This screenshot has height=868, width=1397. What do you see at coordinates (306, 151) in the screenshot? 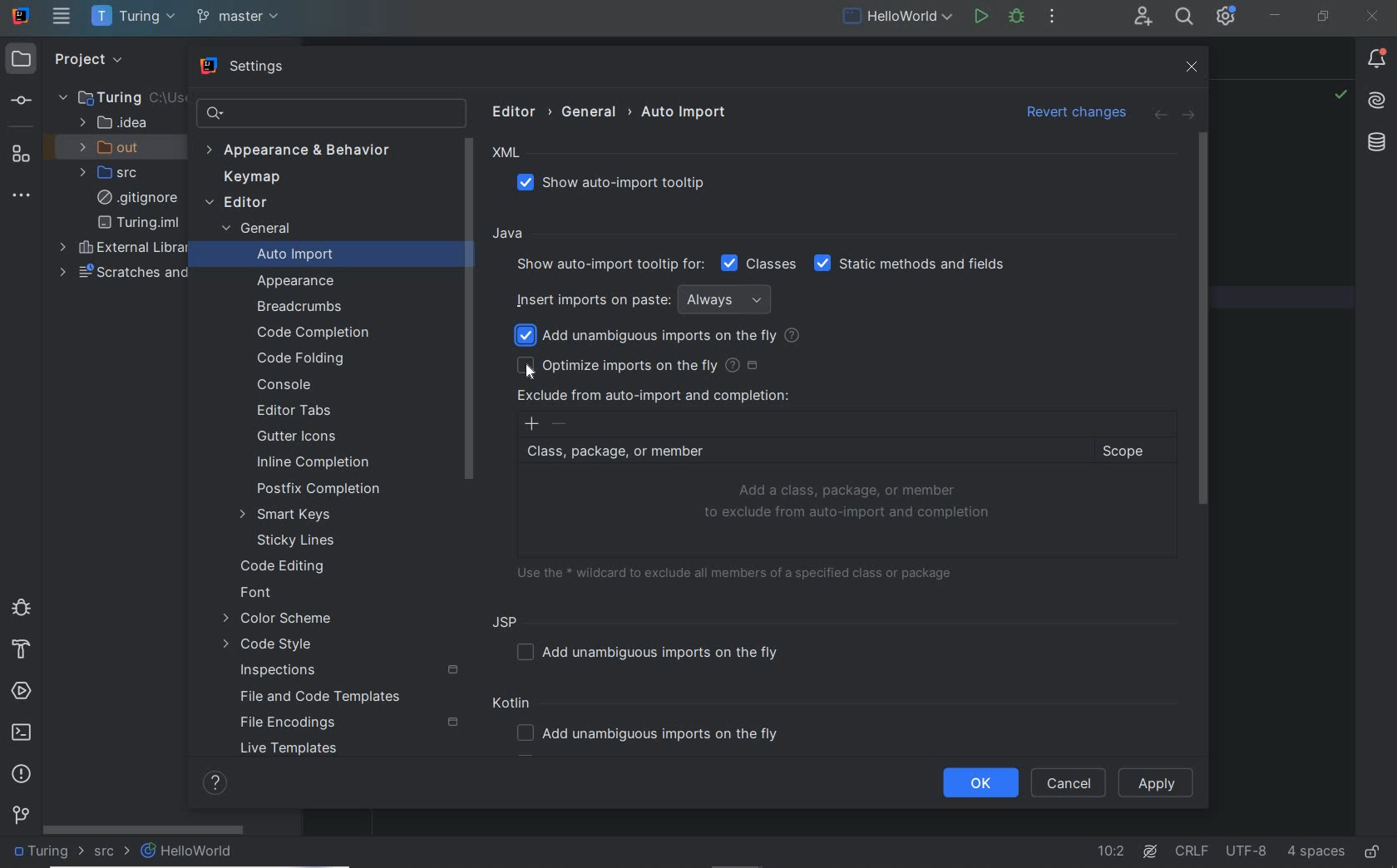
I see `APPEARANCE & BEHAVIOR` at bounding box center [306, 151].